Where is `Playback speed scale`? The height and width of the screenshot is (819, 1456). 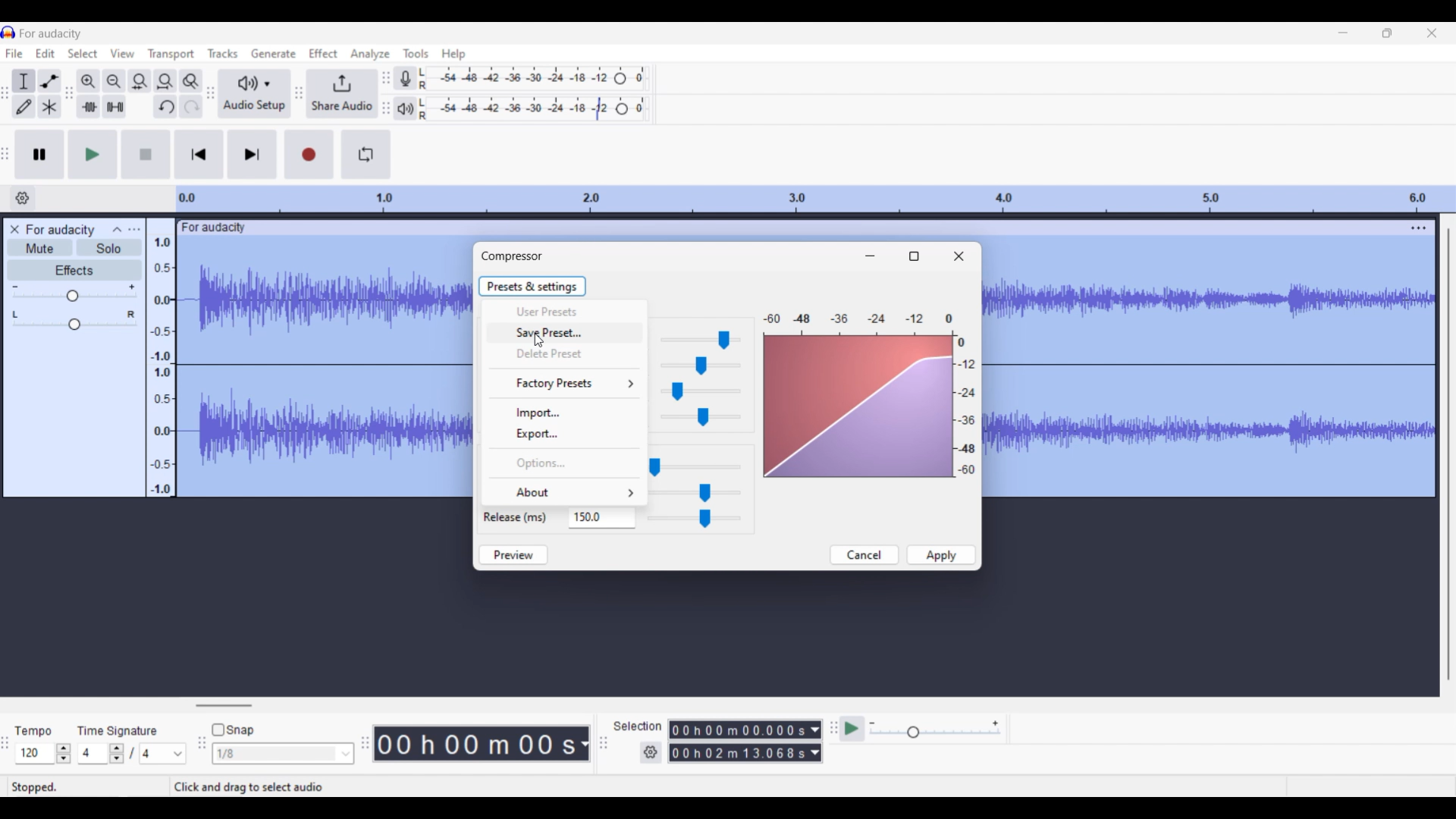
Playback speed scale is located at coordinates (934, 730).